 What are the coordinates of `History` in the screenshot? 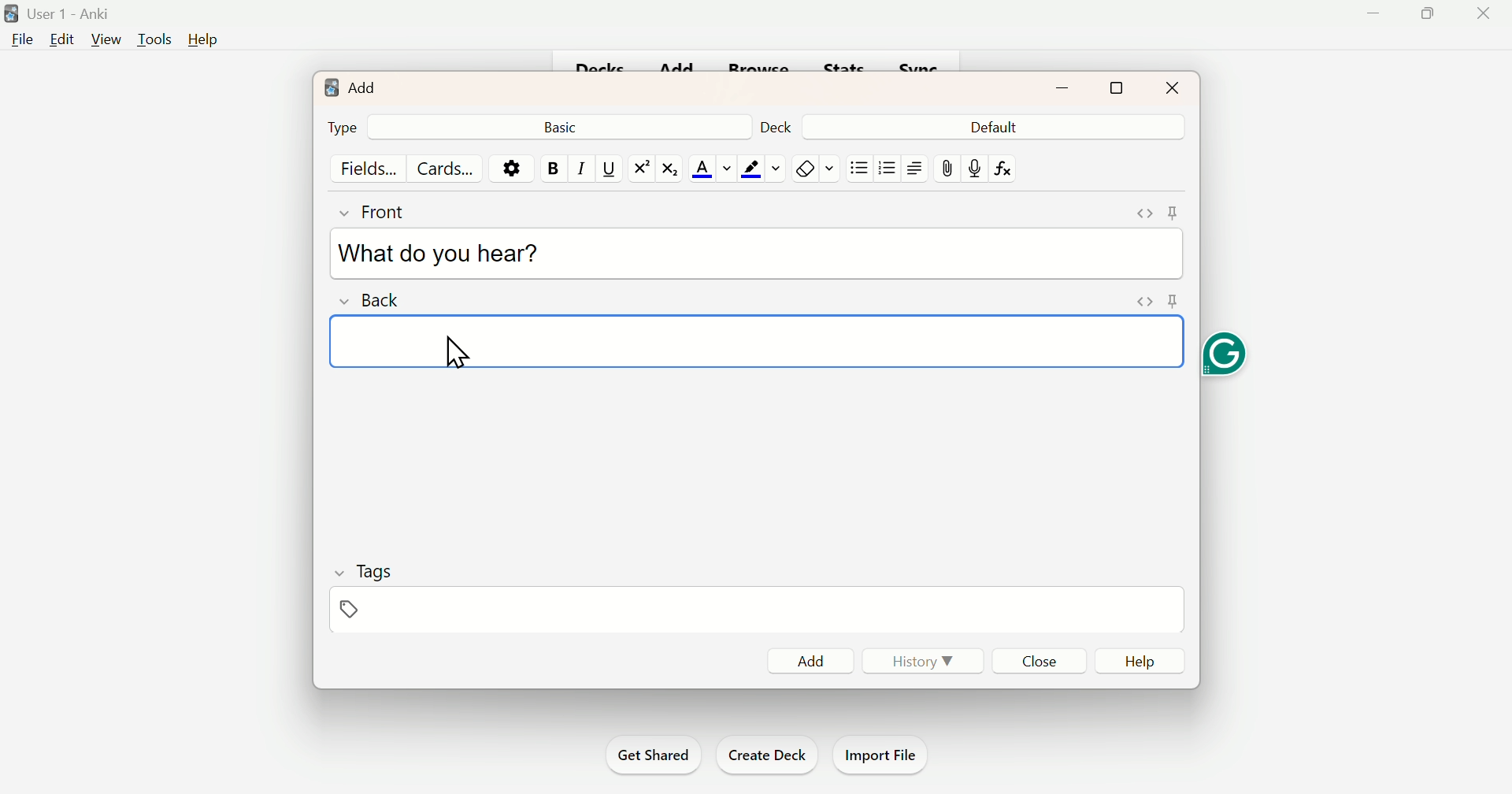 It's located at (925, 662).